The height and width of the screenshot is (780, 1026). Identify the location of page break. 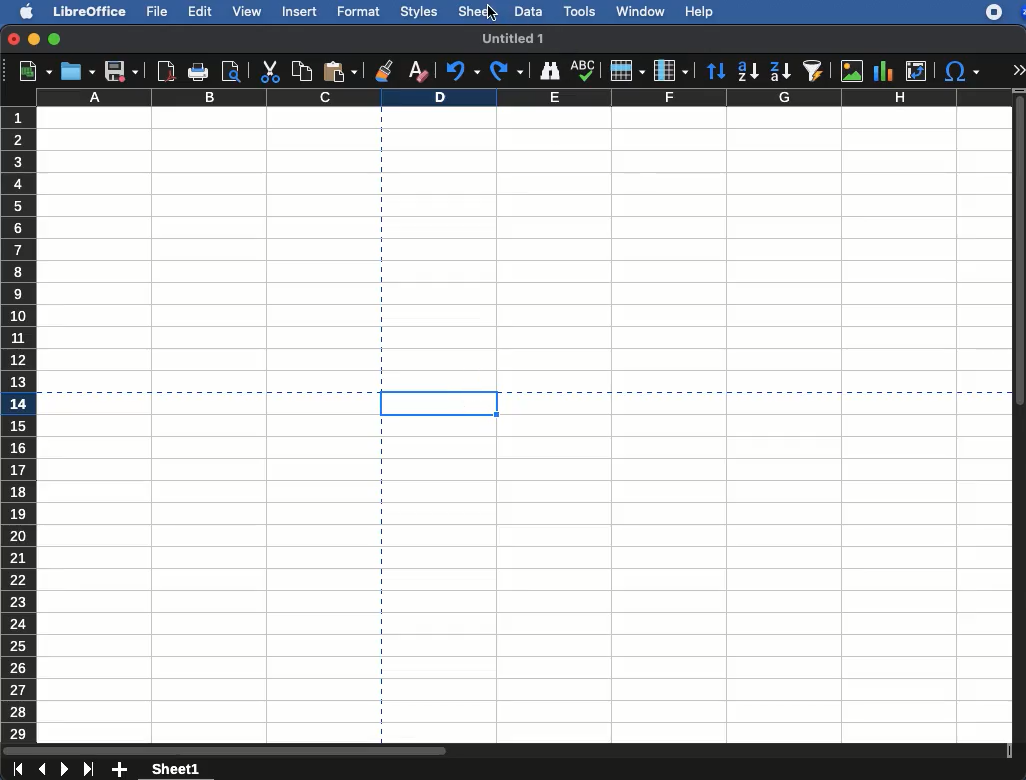
(196, 391).